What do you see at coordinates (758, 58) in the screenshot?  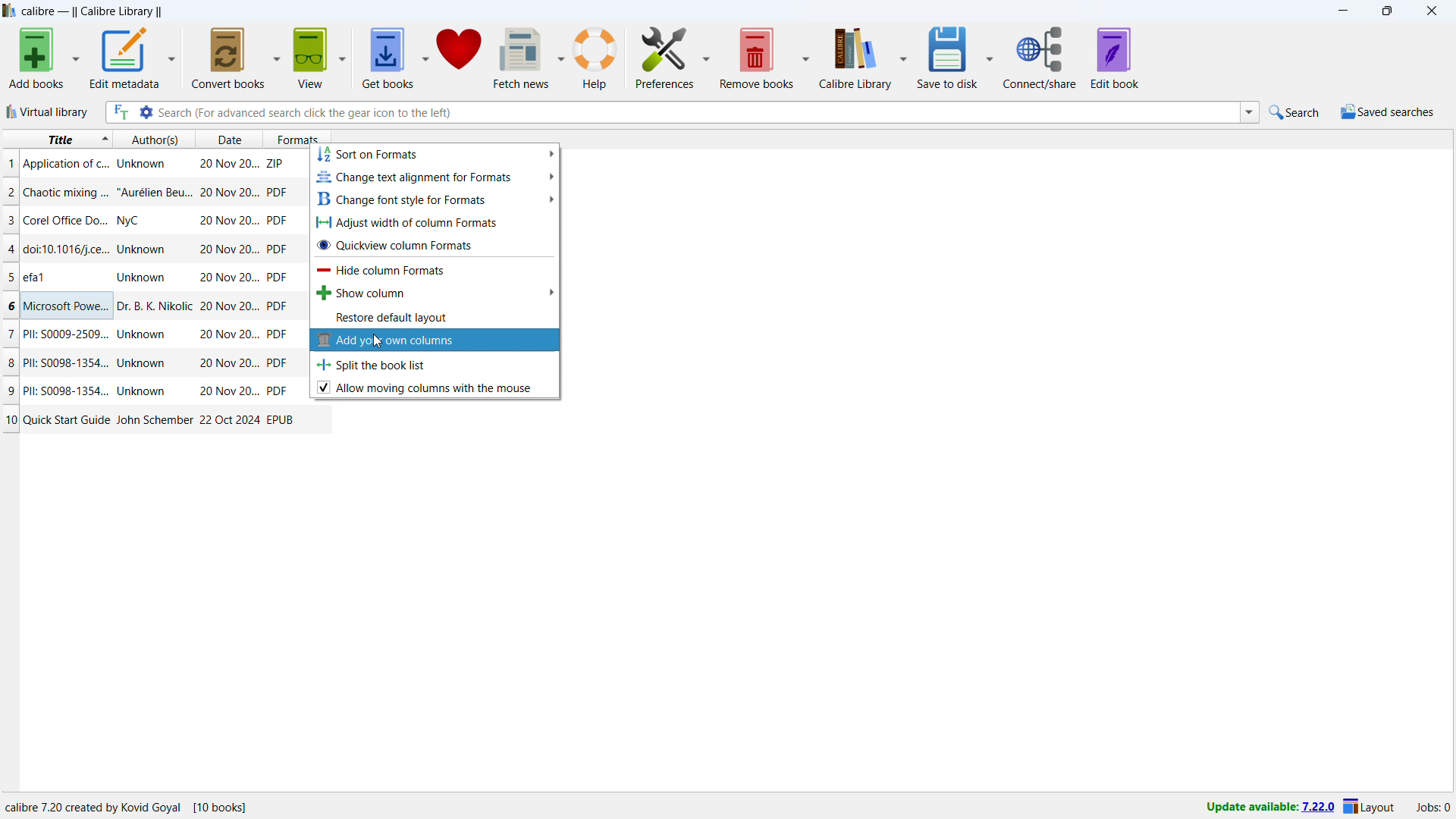 I see `save to disk` at bounding box center [758, 58].